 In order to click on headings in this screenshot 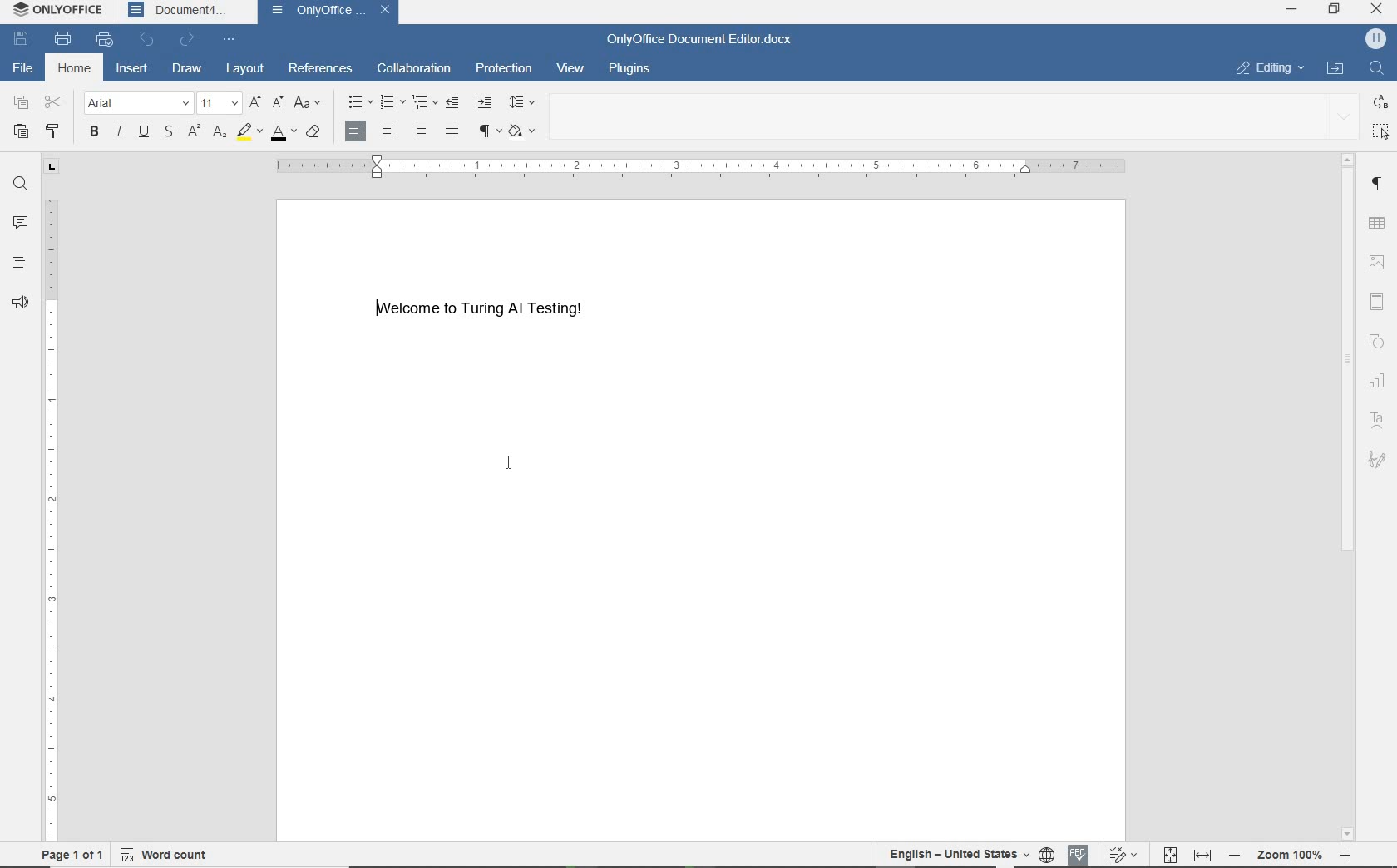, I will do `click(17, 264)`.